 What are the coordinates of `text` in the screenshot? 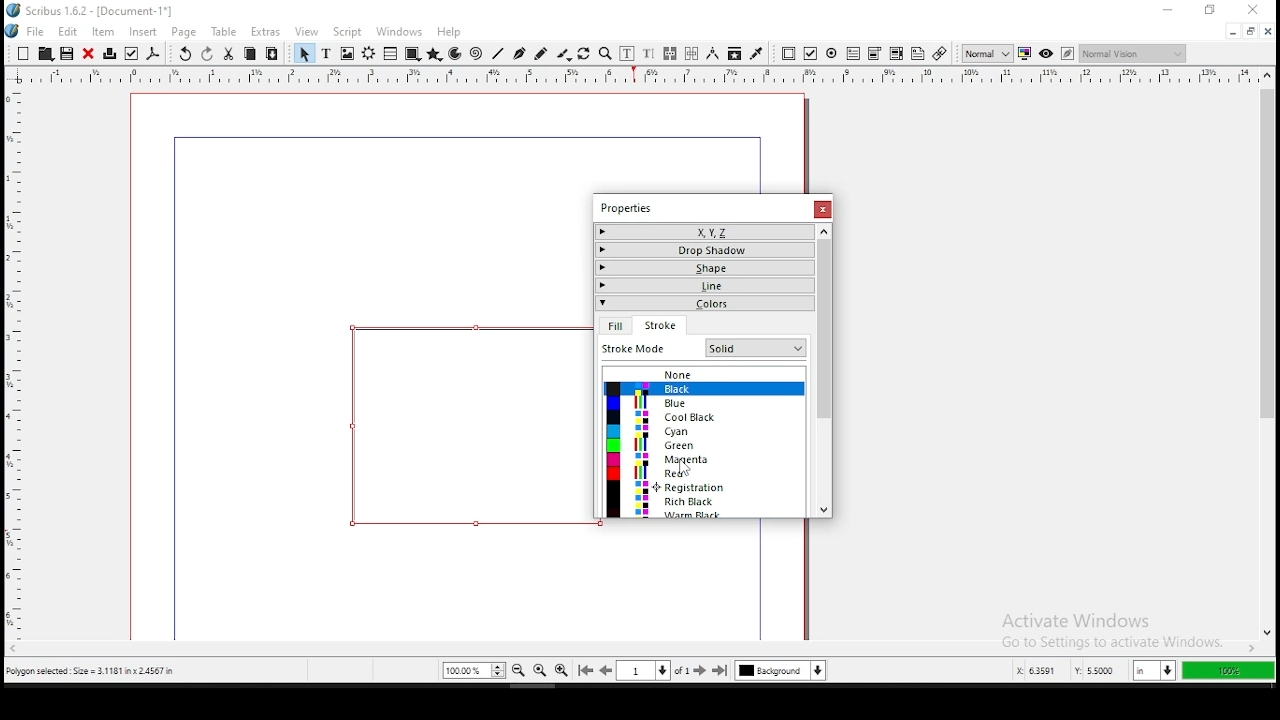 It's located at (327, 53).